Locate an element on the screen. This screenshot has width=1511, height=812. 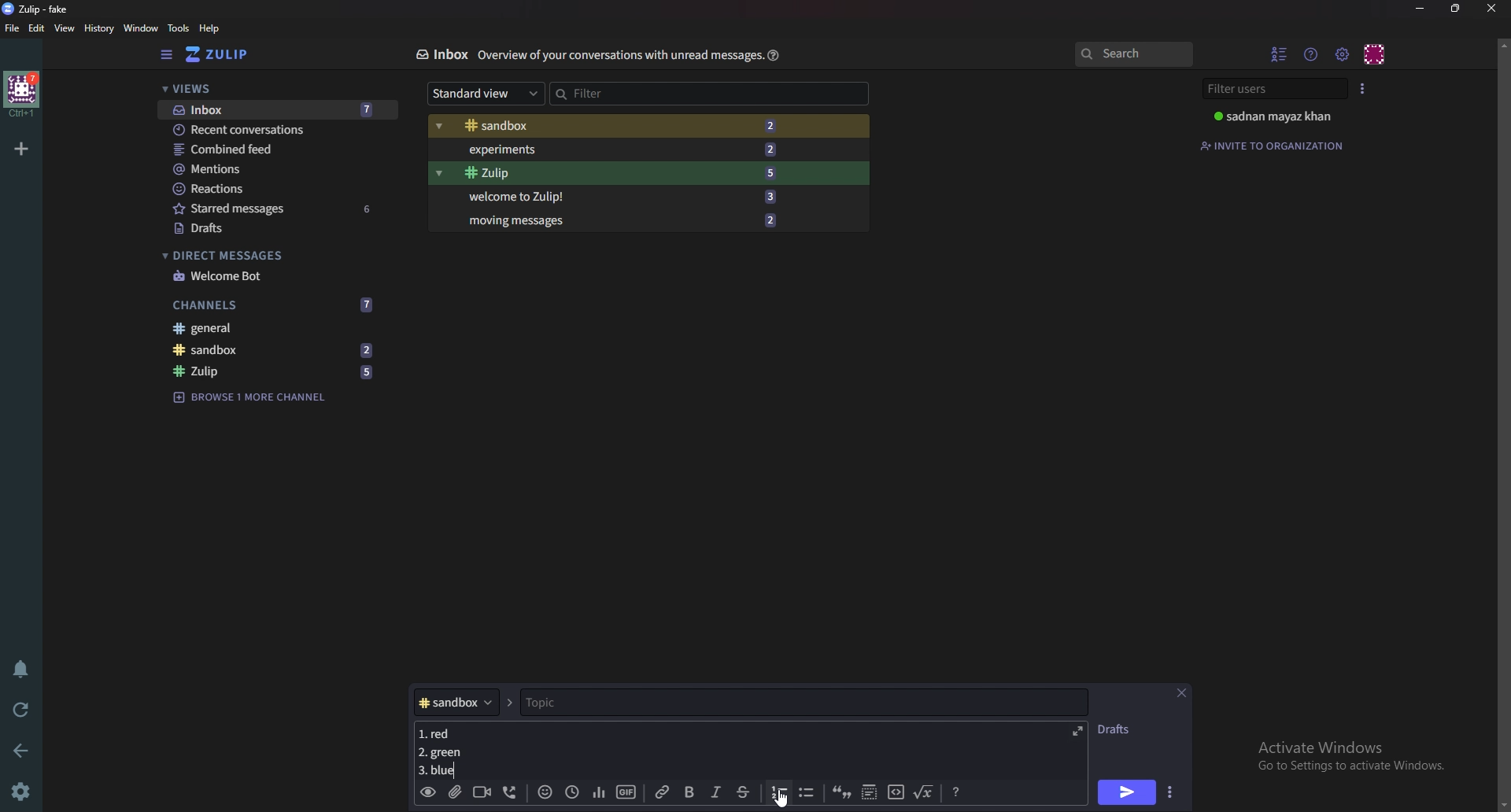
welcome bot is located at coordinates (272, 275).